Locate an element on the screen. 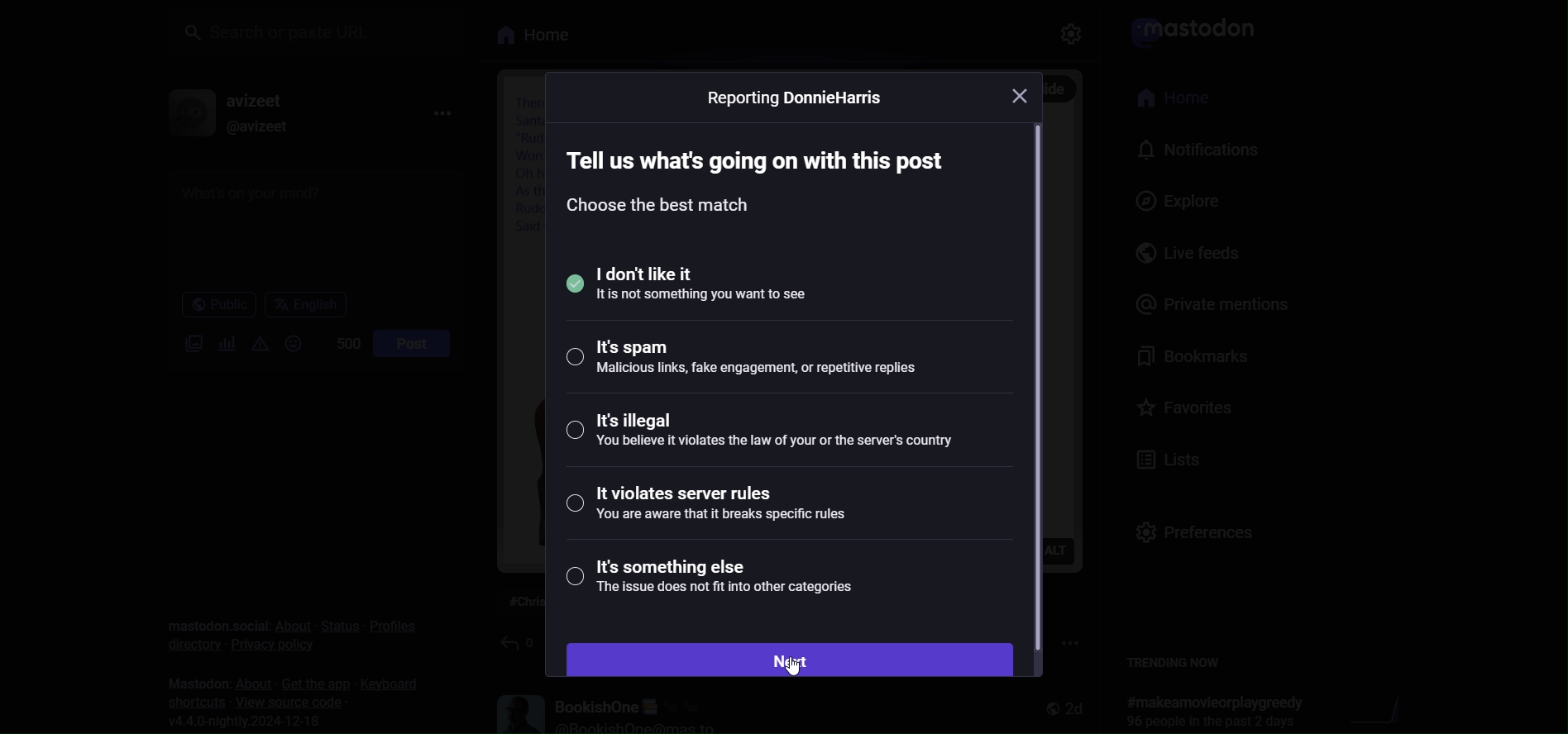 This screenshot has width=1568, height=734. view source code is located at coordinates (292, 702).